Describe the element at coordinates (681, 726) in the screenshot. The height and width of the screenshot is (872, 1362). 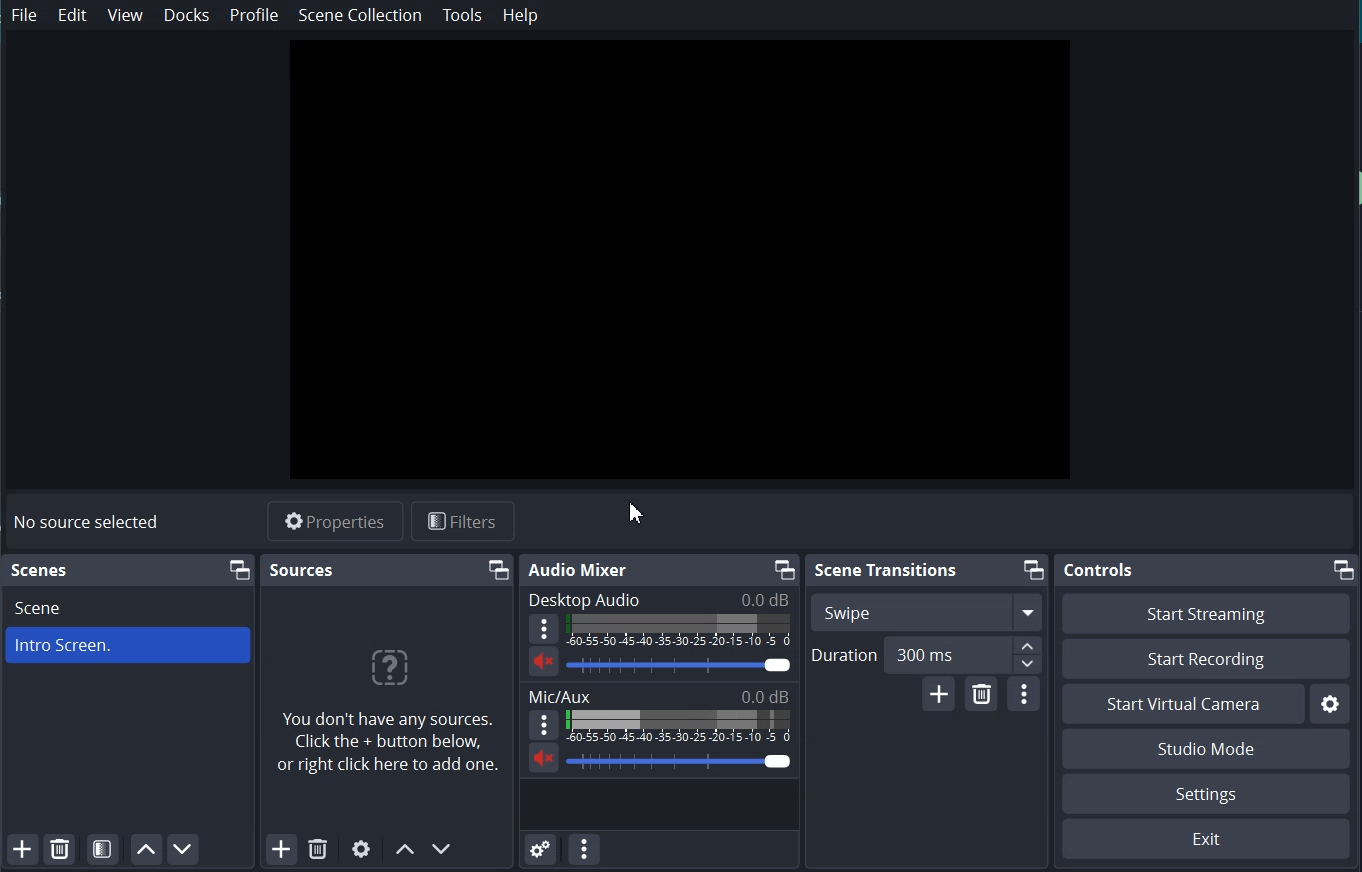
I see `Volume indicator` at that location.